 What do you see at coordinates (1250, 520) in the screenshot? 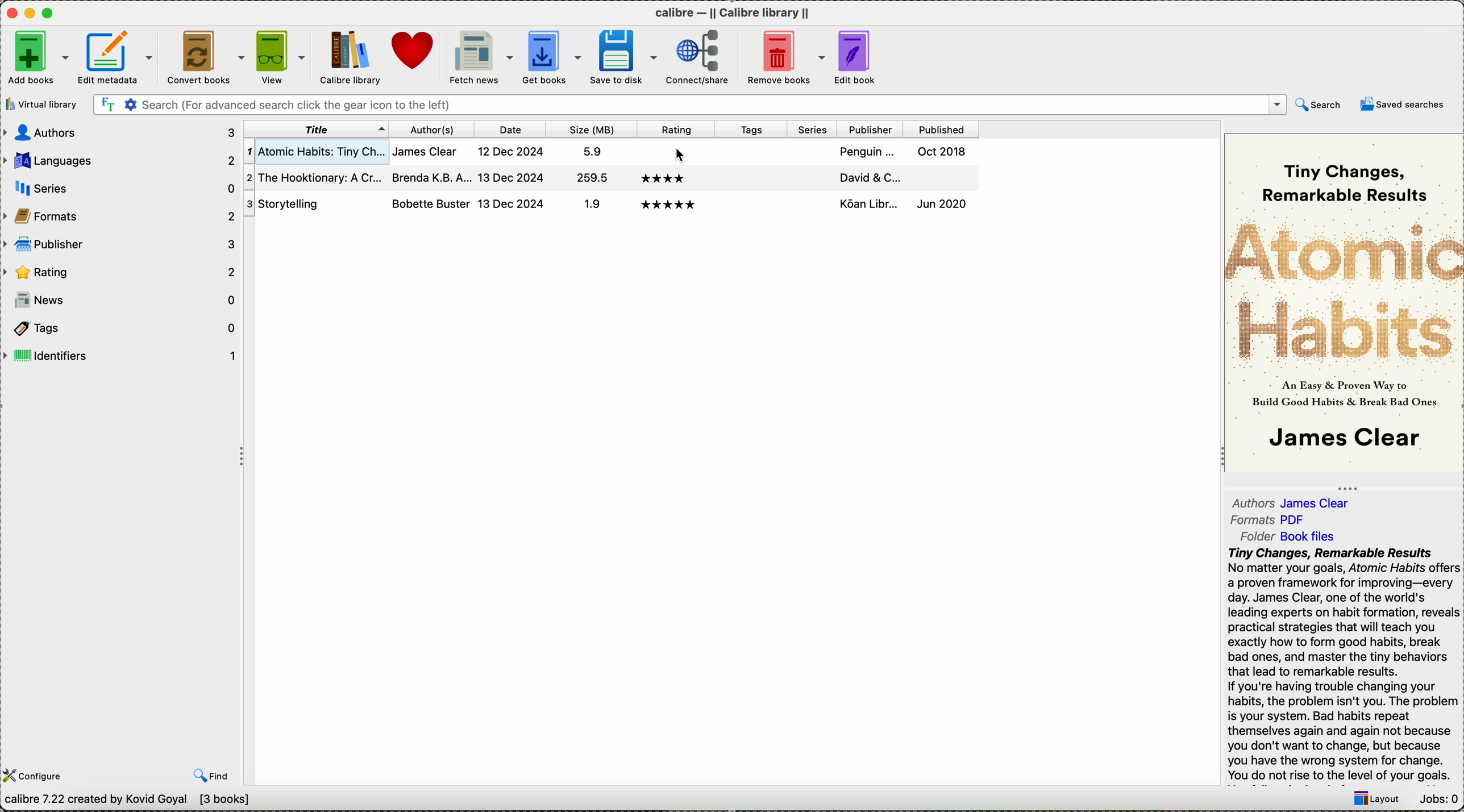
I see `formats PDF` at bounding box center [1250, 520].